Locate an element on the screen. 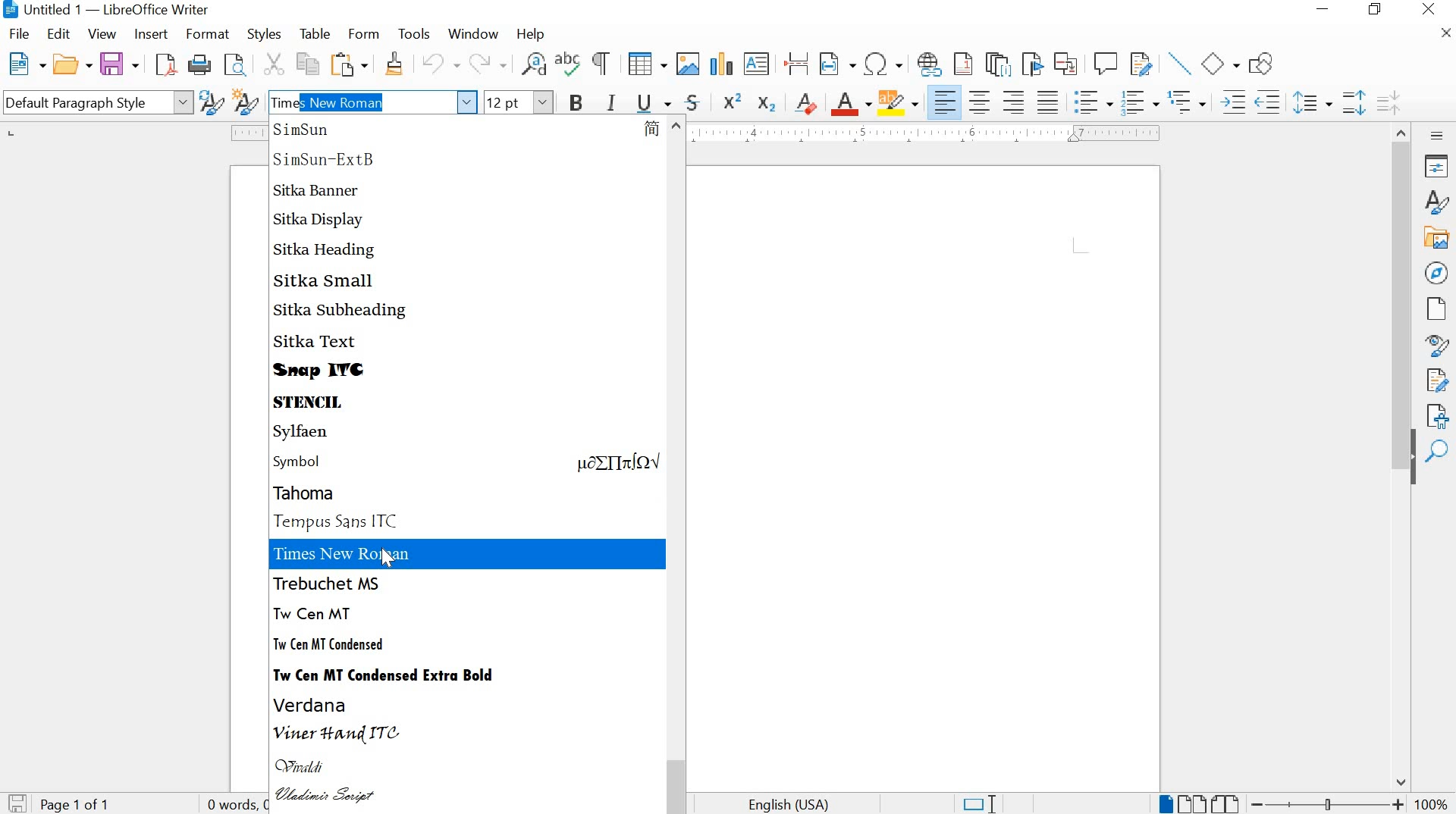 The height and width of the screenshot is (814, 1456). FONT COLOR is located at coordinates (850, 105).